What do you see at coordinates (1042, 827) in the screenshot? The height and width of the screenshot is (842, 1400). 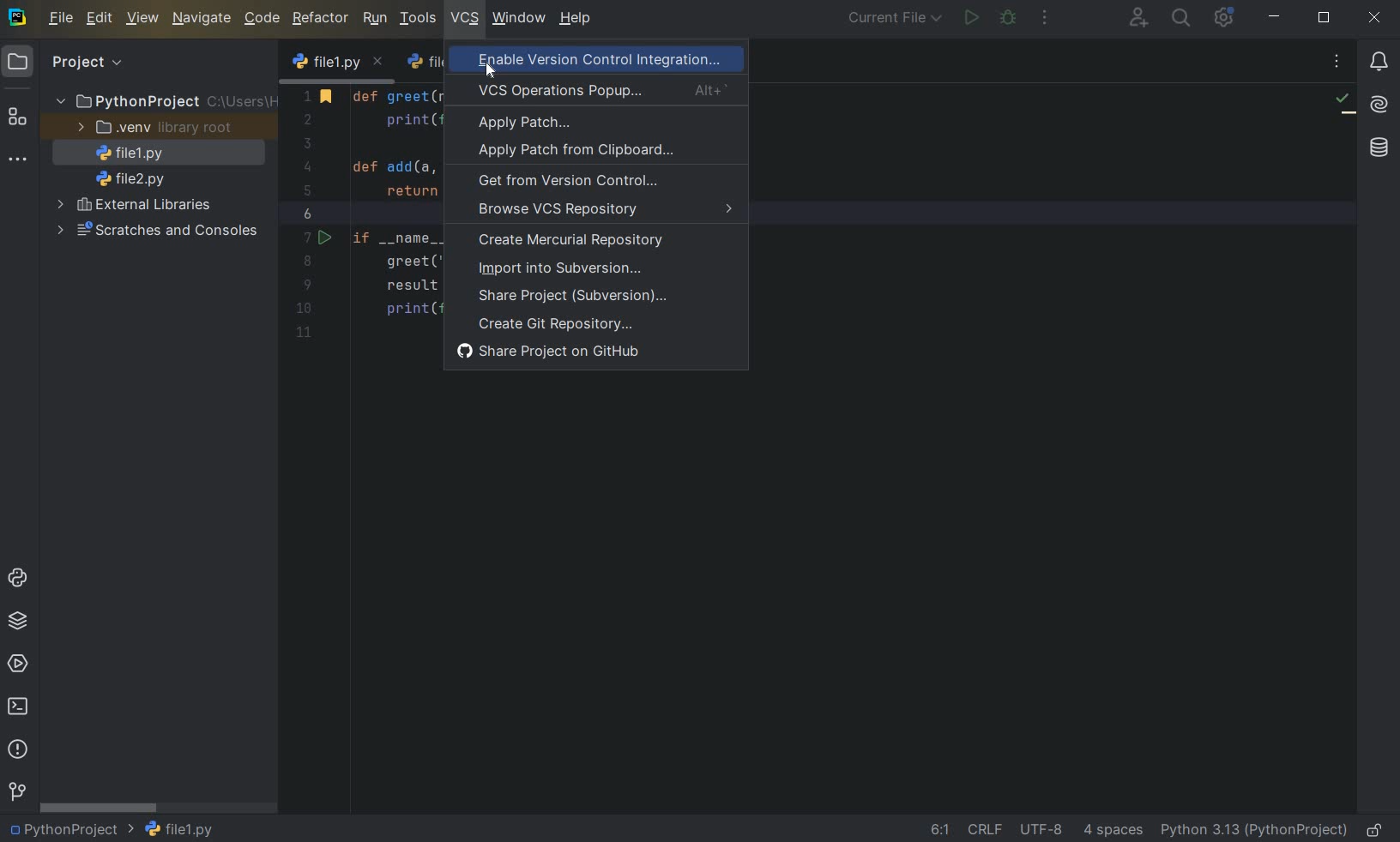 I see `file encoding` at bounding box center [1042, 827].